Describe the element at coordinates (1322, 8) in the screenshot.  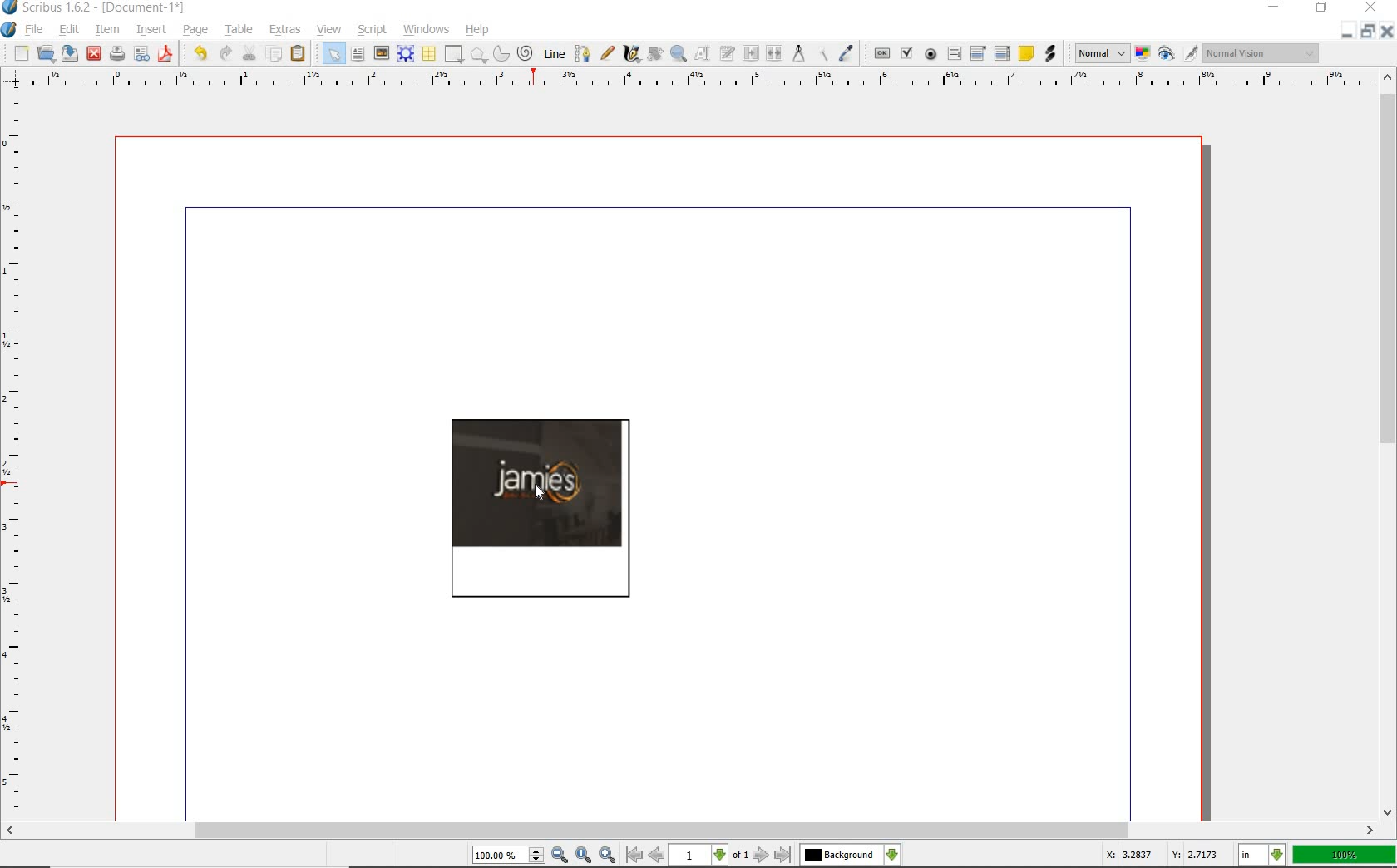
I see `RESTORE` at that location.